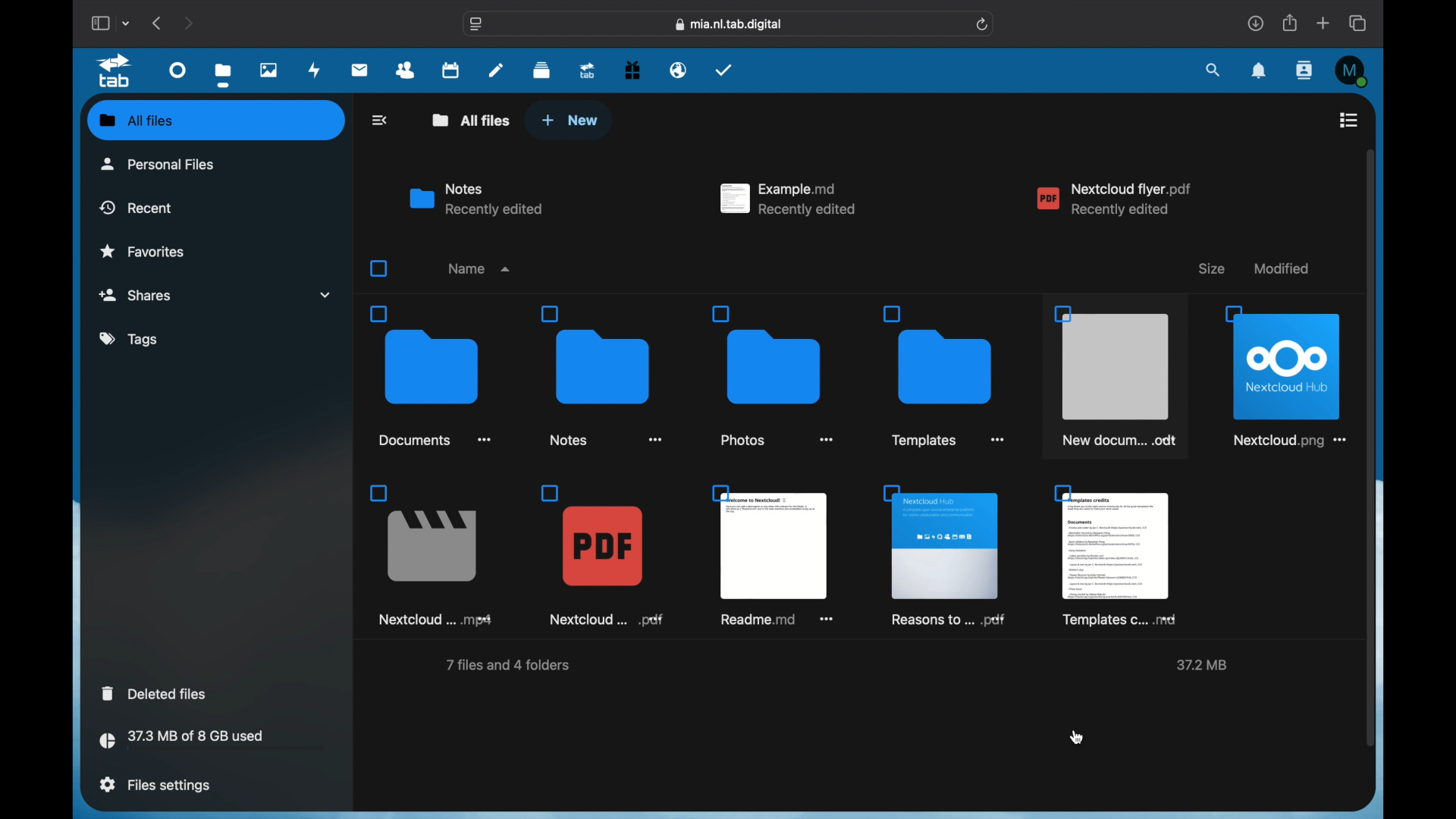  What do you see at coordinates (99, 23) in the screenshot?
I see `show sidebar` at bounding box center [99, 23].